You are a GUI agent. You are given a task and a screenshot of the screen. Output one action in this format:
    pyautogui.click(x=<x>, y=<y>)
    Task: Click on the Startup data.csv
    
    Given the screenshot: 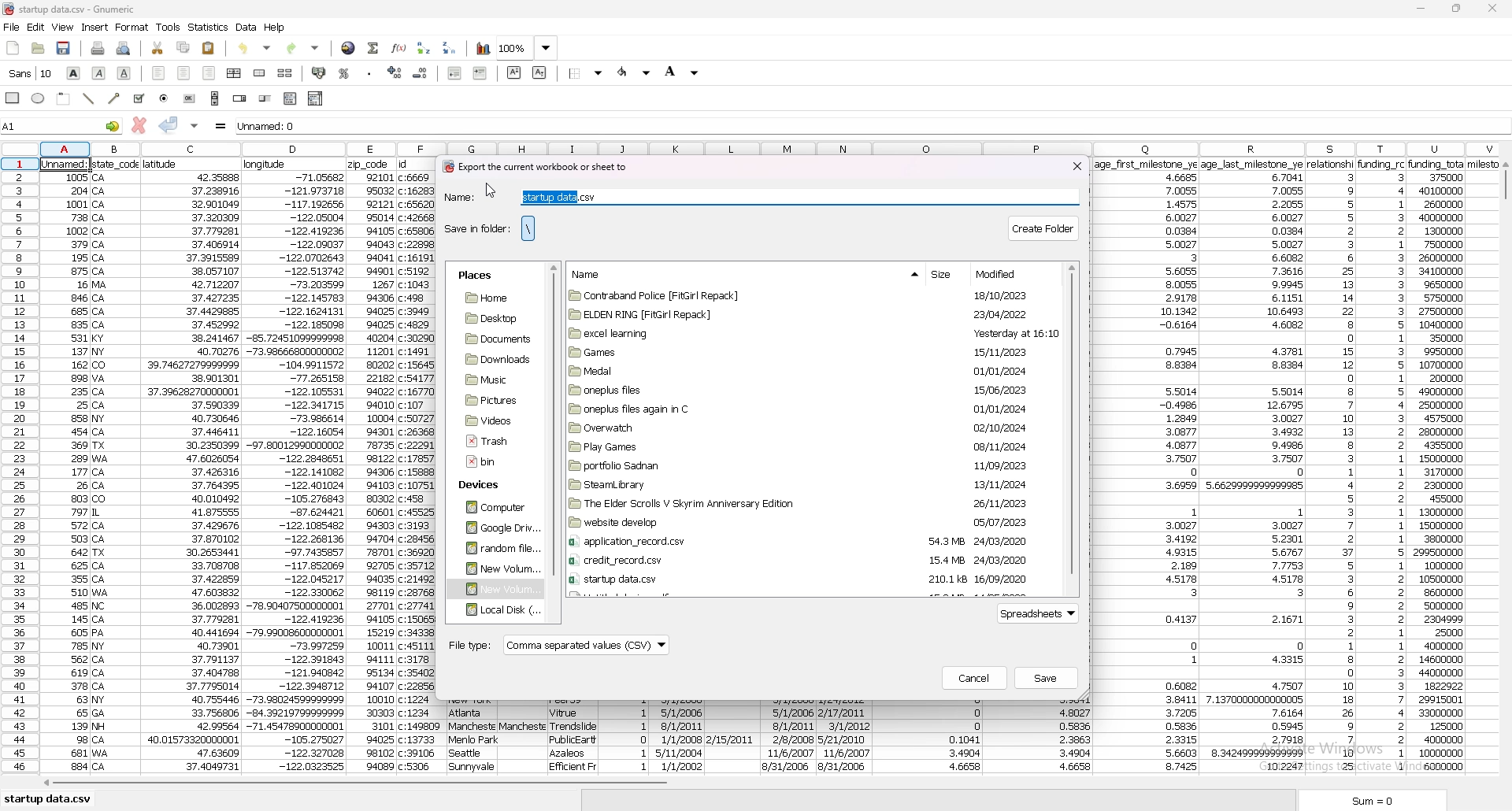 What is the action you would take?
    pyautogui.click(x=50, y=798)
    